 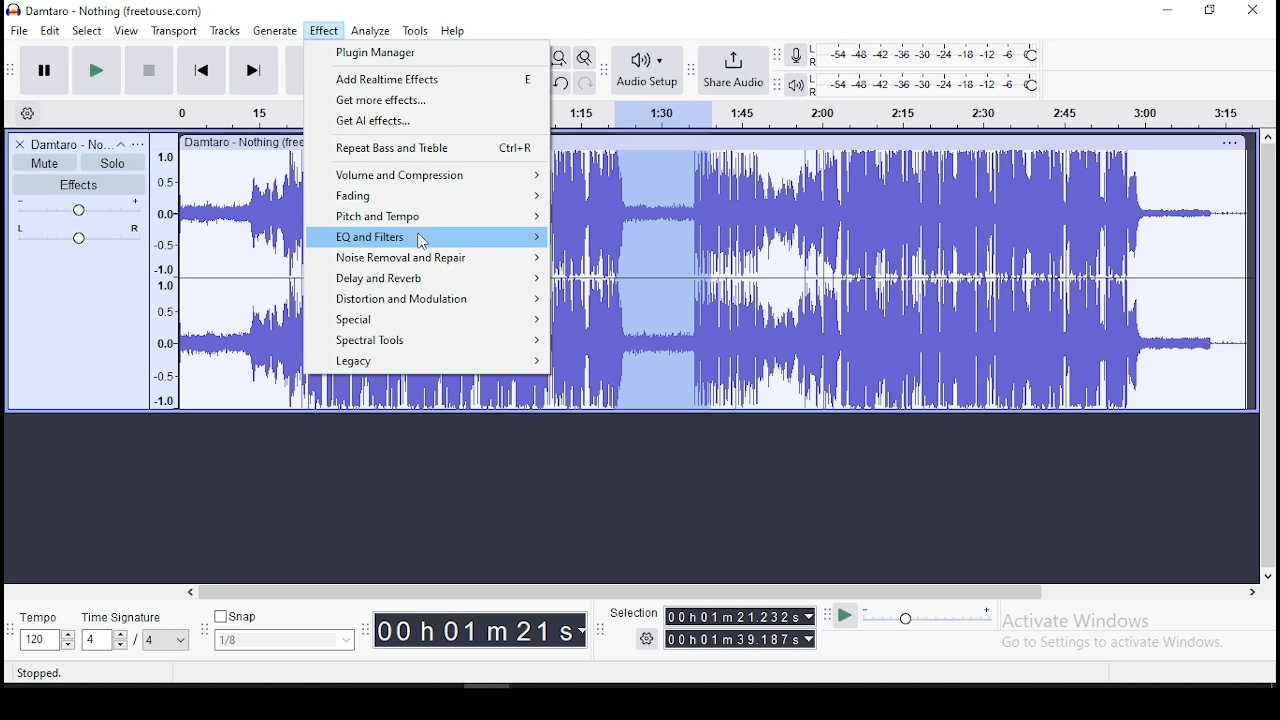 What do you see at coordinates (427, 394) in the screenshot?
I see `audio track` at bounding box center [427, 394].